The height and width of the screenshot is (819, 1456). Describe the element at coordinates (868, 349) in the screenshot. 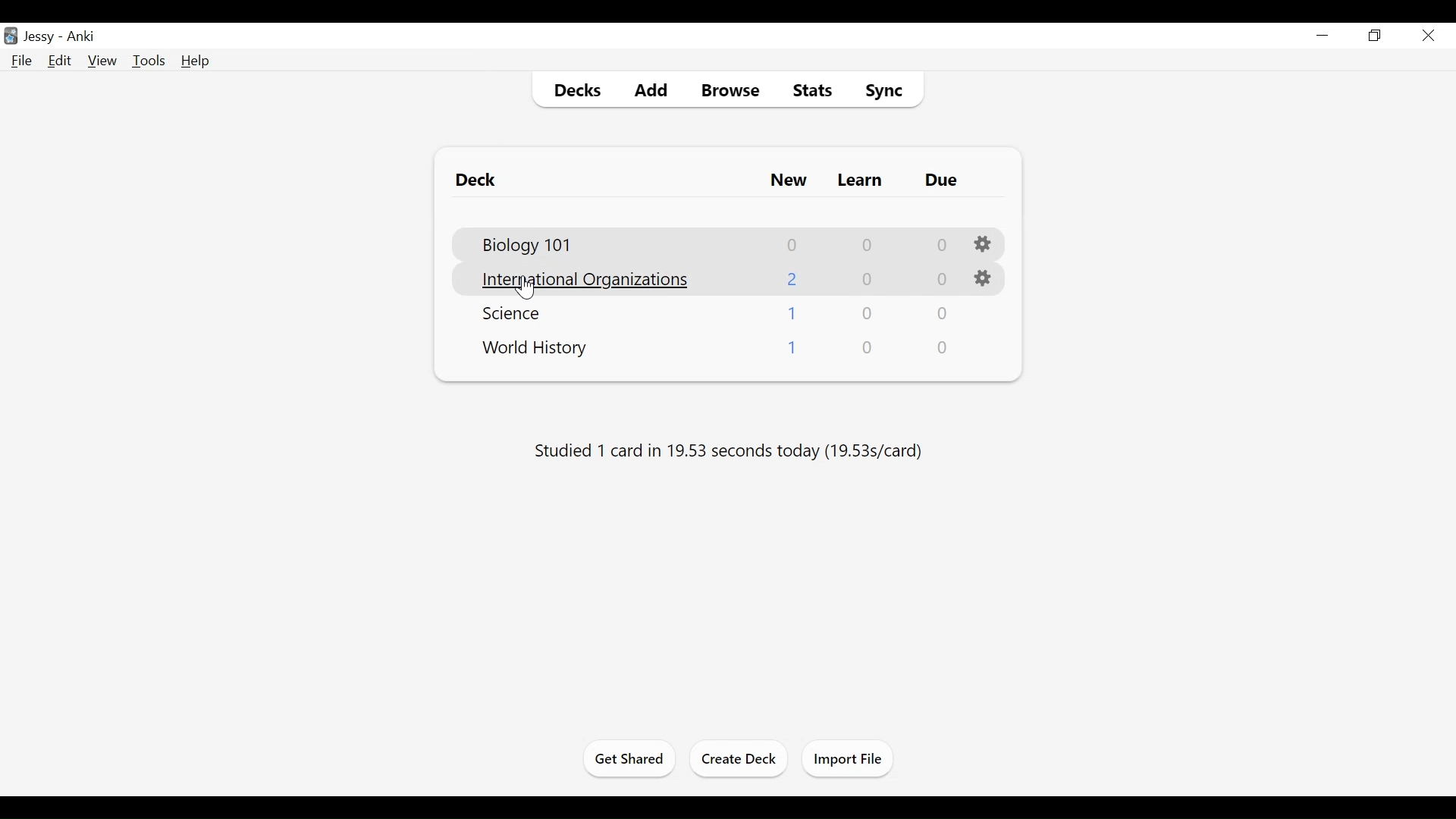

I see `Learn Card Count` at that location.